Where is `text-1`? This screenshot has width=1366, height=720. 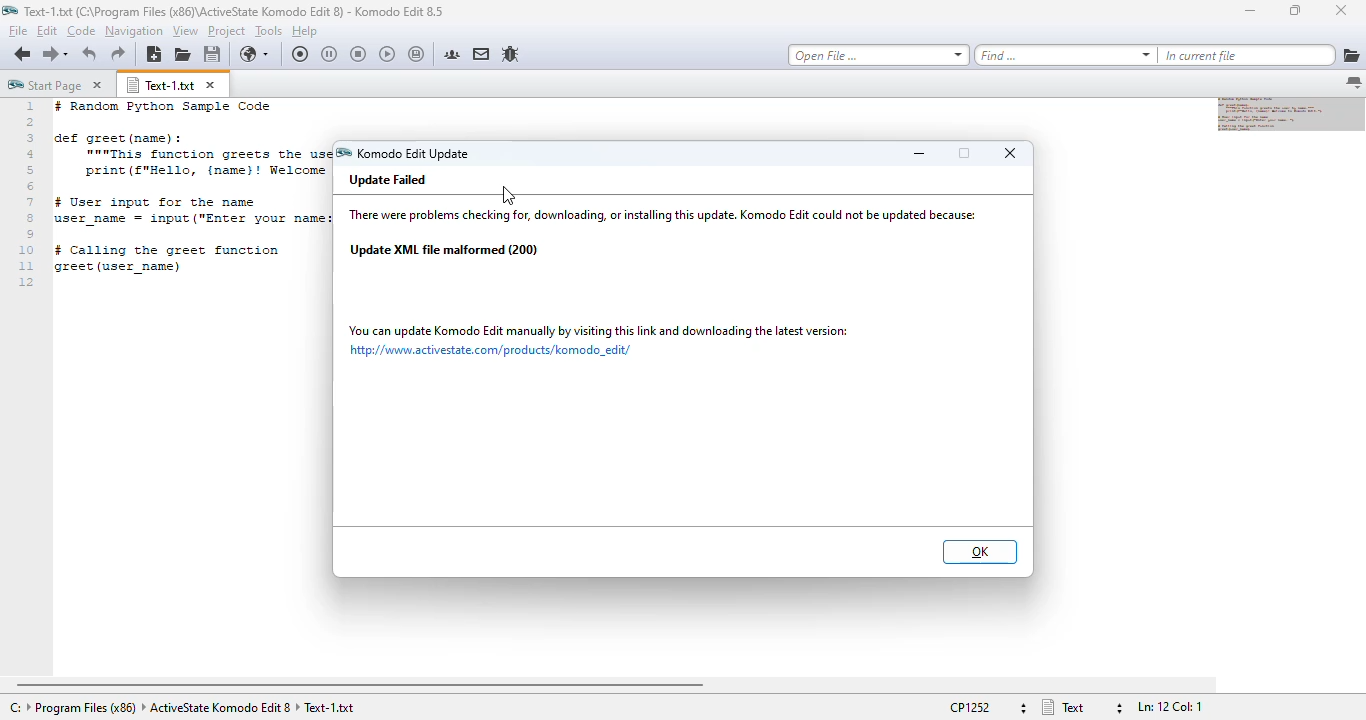 text-1 is located at coordinates (161, 85).